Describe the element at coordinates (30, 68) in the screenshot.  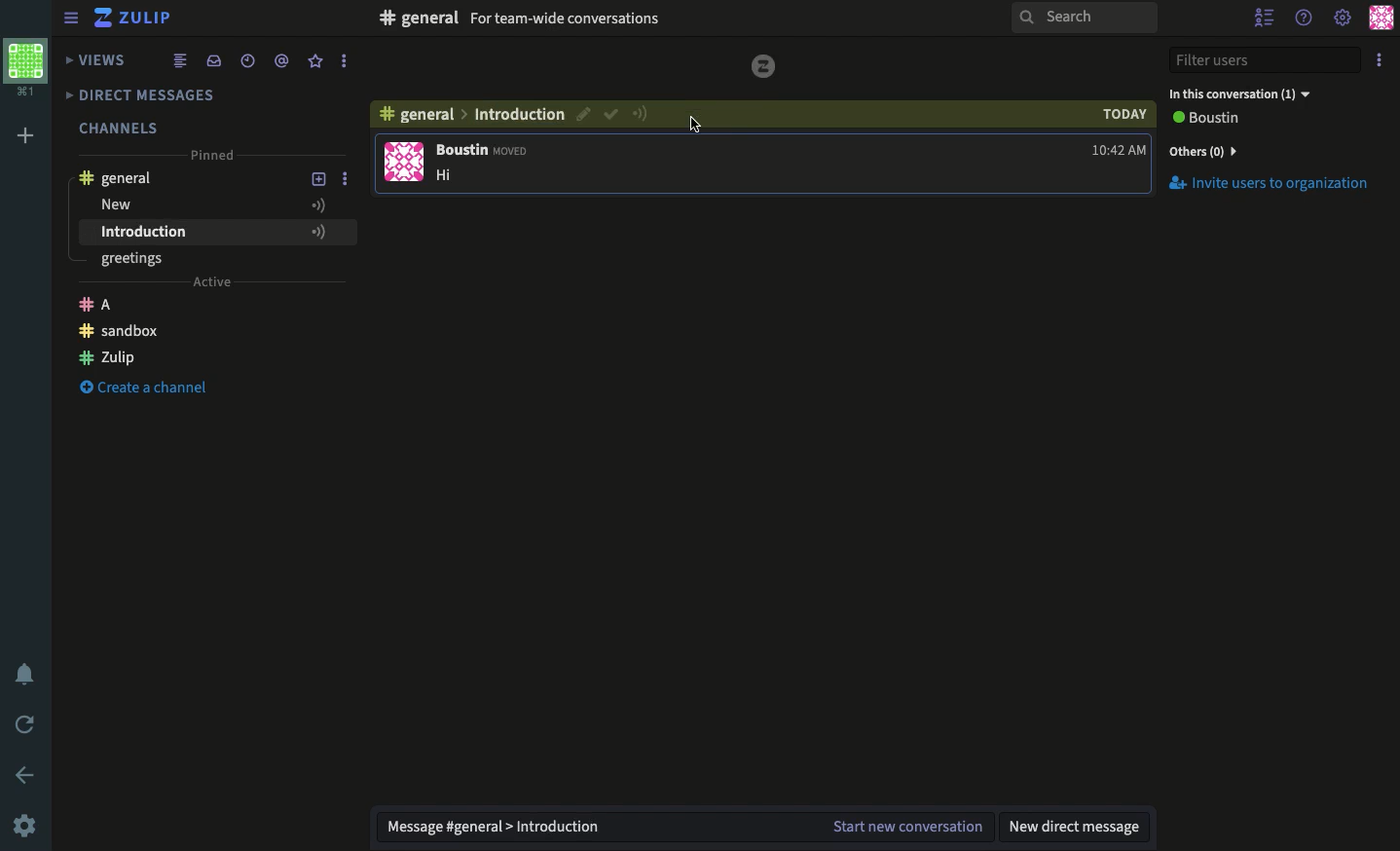
I see `Workspace profile` at that location.